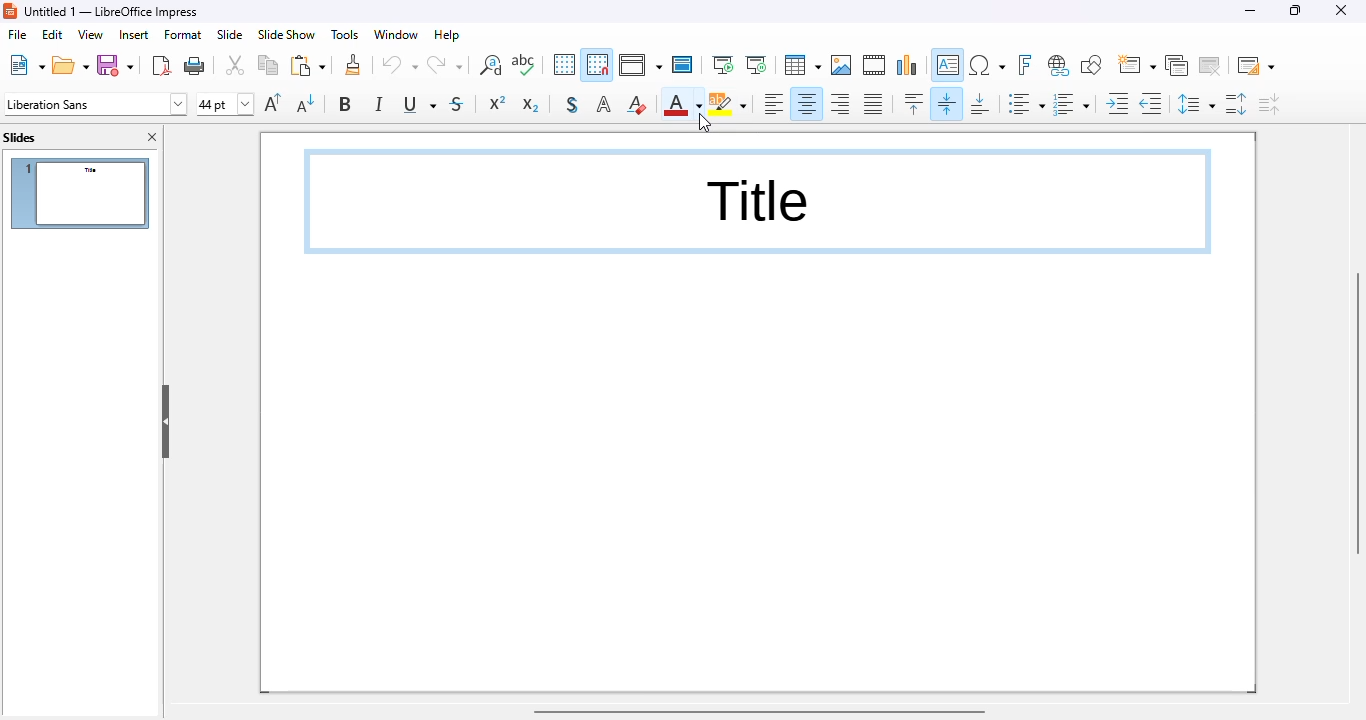  What do you see at coordinates (345, 35) in the screenshot?
I see `tools` at bounding box center [345, 35].